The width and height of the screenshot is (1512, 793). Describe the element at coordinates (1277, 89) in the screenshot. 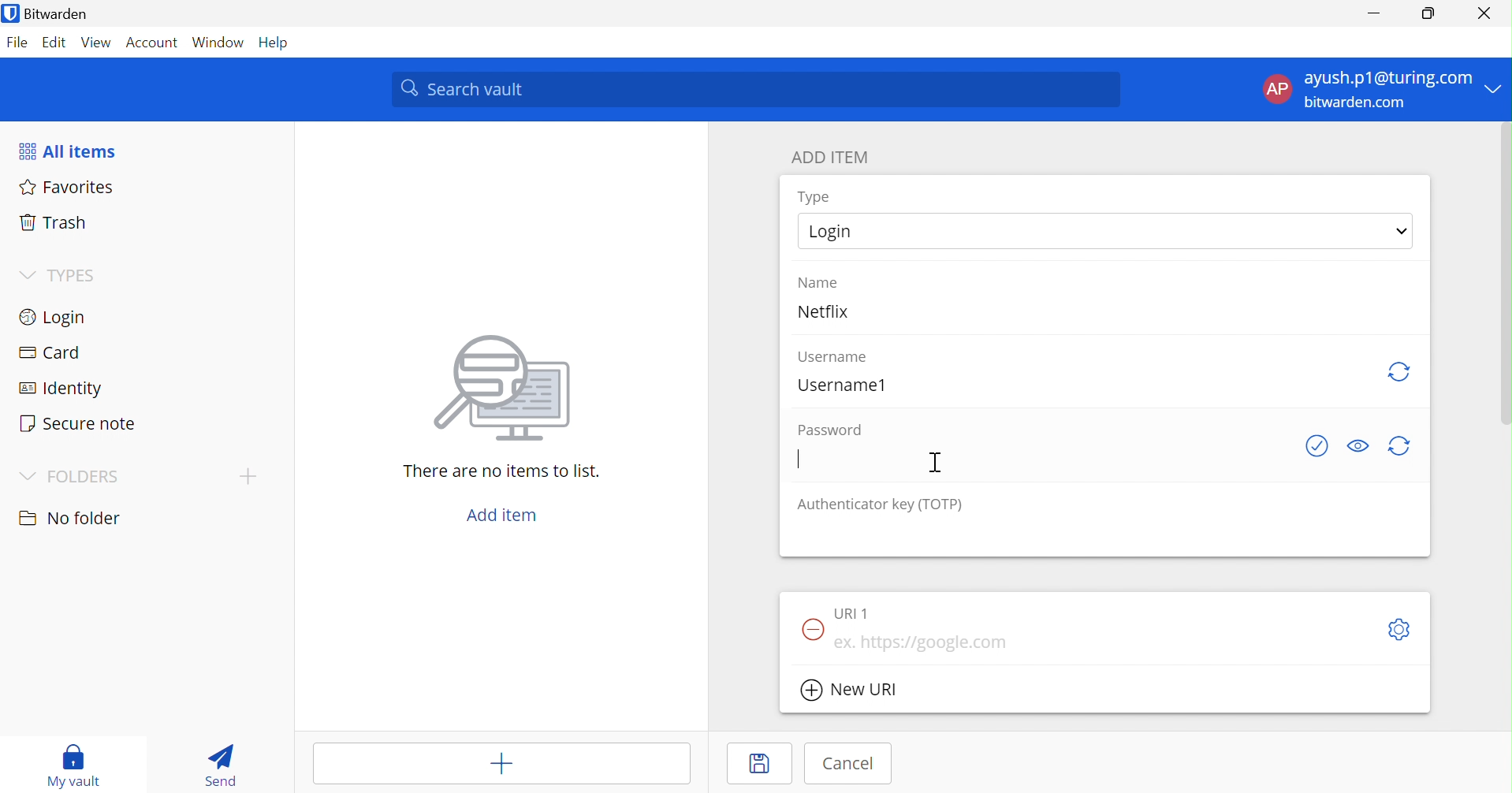

I see `AP` at that location.